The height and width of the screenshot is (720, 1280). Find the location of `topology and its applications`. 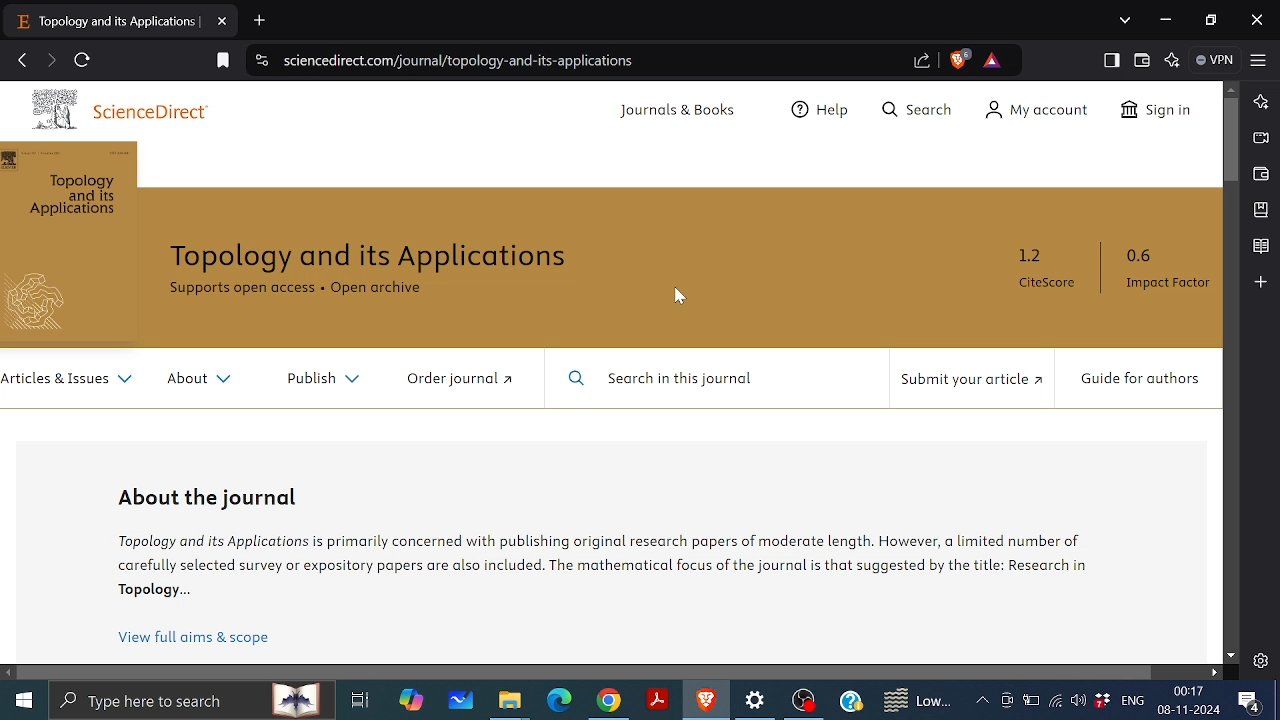

topology and its applications is located at coordinates (68, 243).